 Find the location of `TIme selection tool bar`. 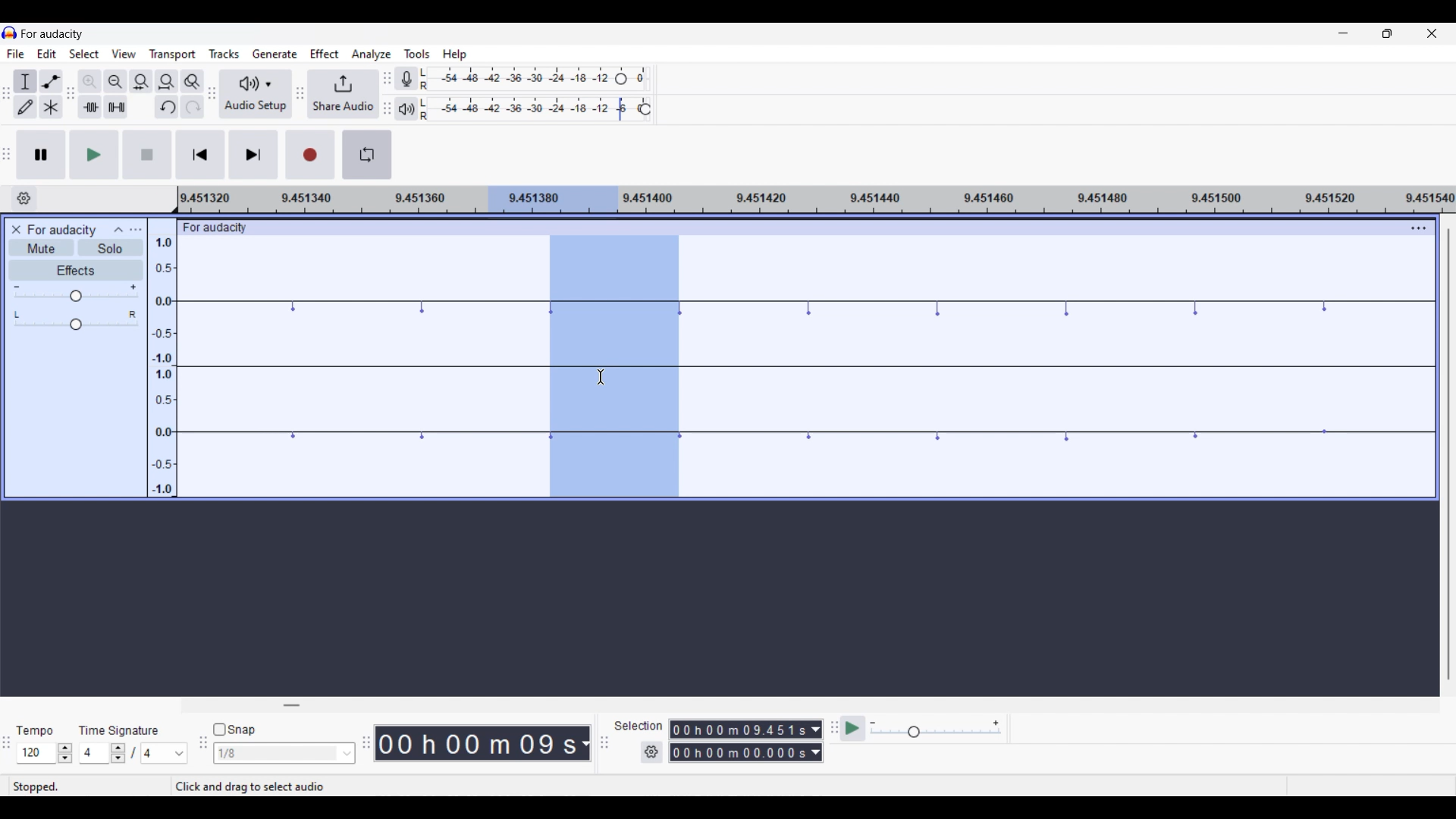

TIme selection tool bar is located at coordinates (9, 752).